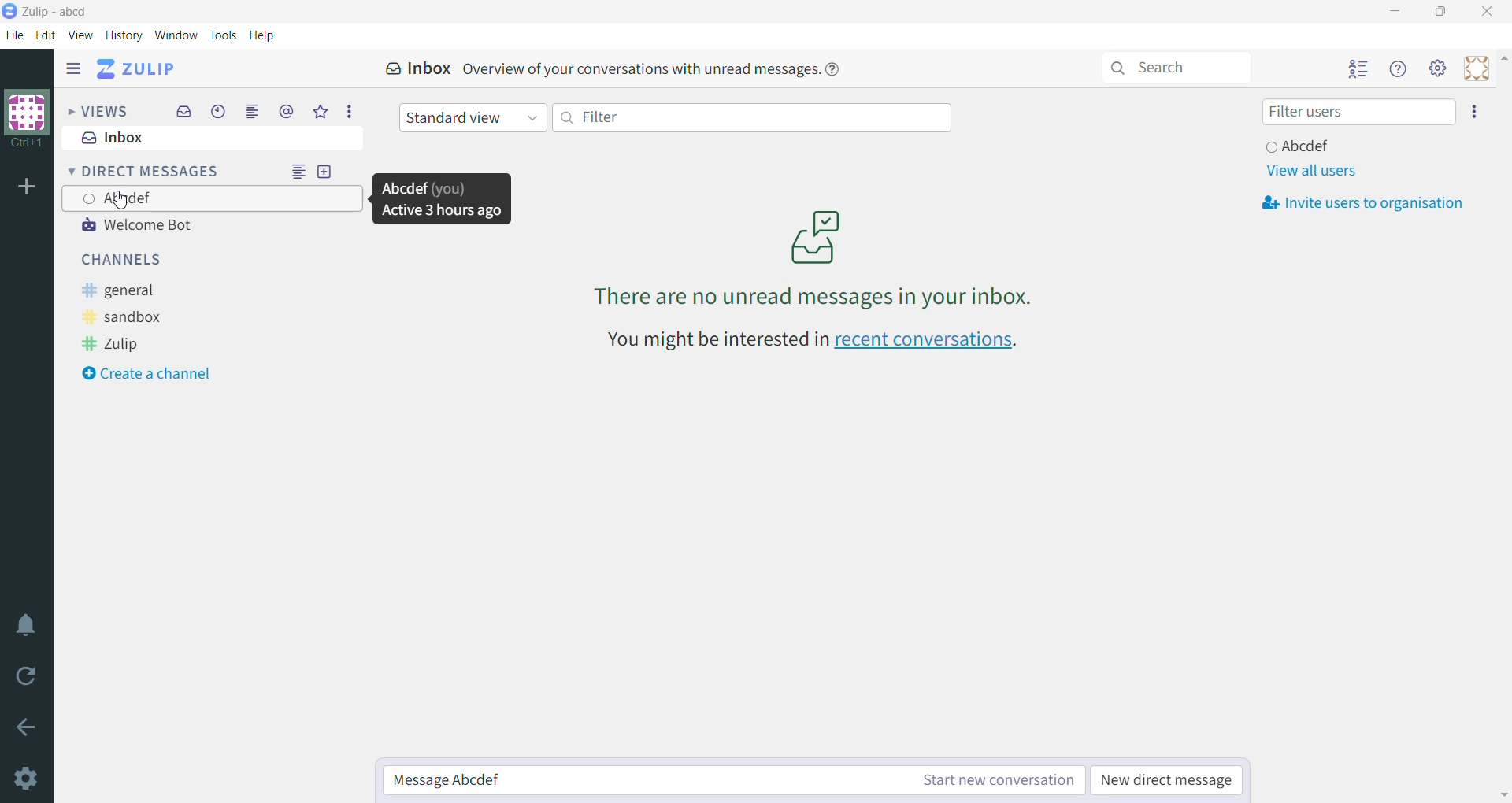  What do you see at coordinates (218, 112) in the screenshot?
I see `Recent Conversations` at bounding box center [218, 112].